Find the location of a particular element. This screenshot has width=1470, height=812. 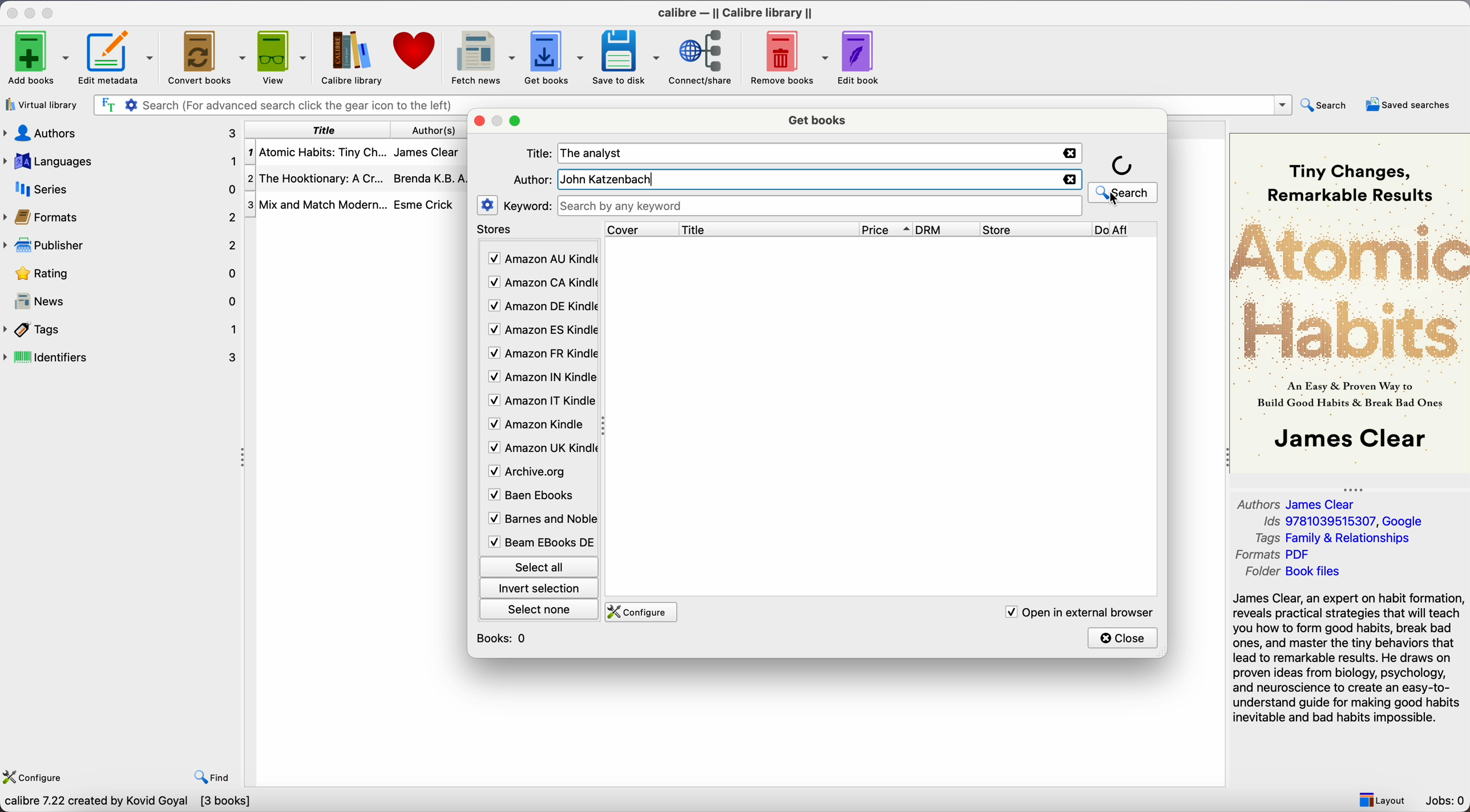

Amazon IN Kindle is located at coordinates (540, 379).